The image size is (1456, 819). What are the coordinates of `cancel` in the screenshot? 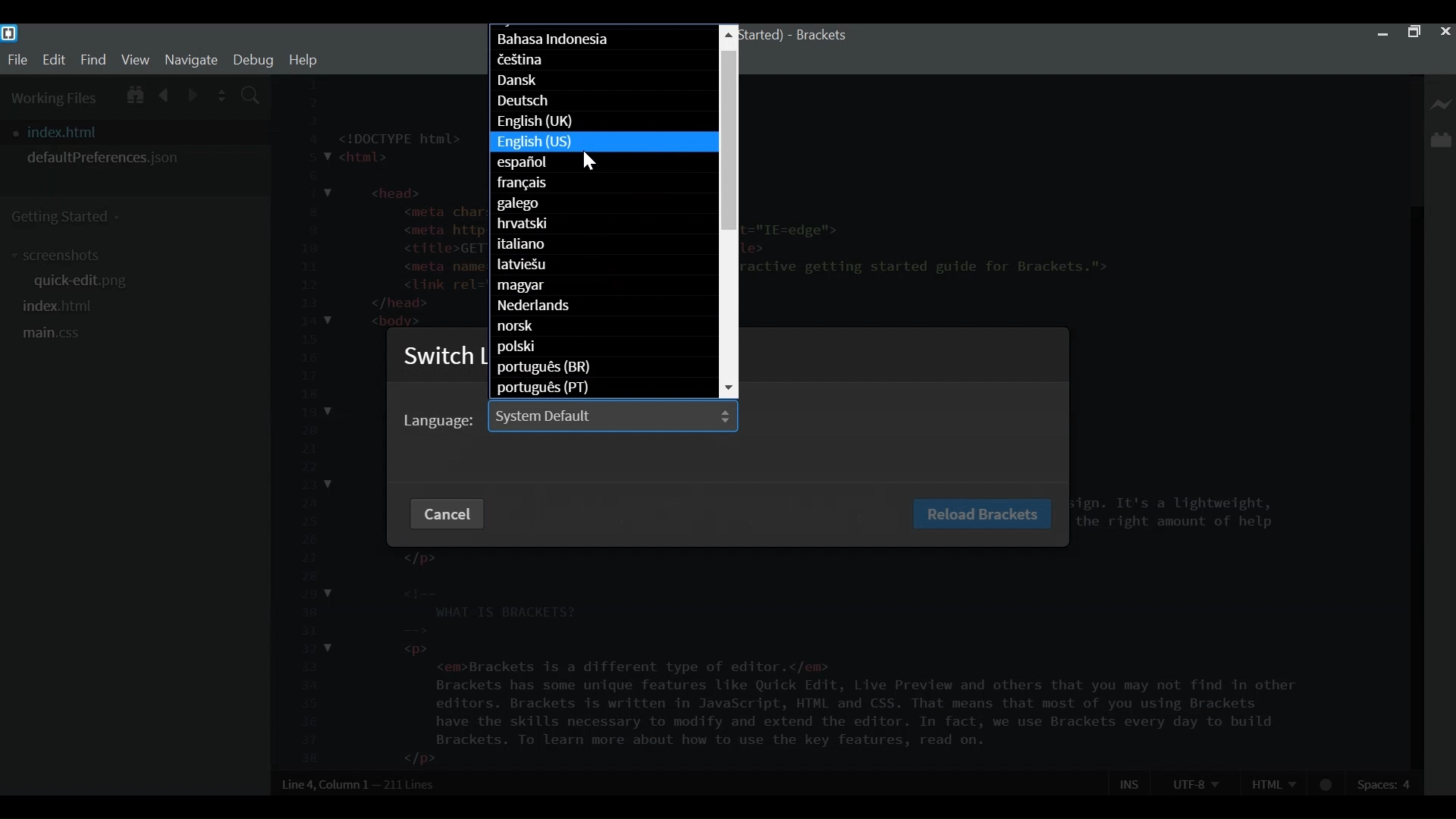 It's located at (449, 513).